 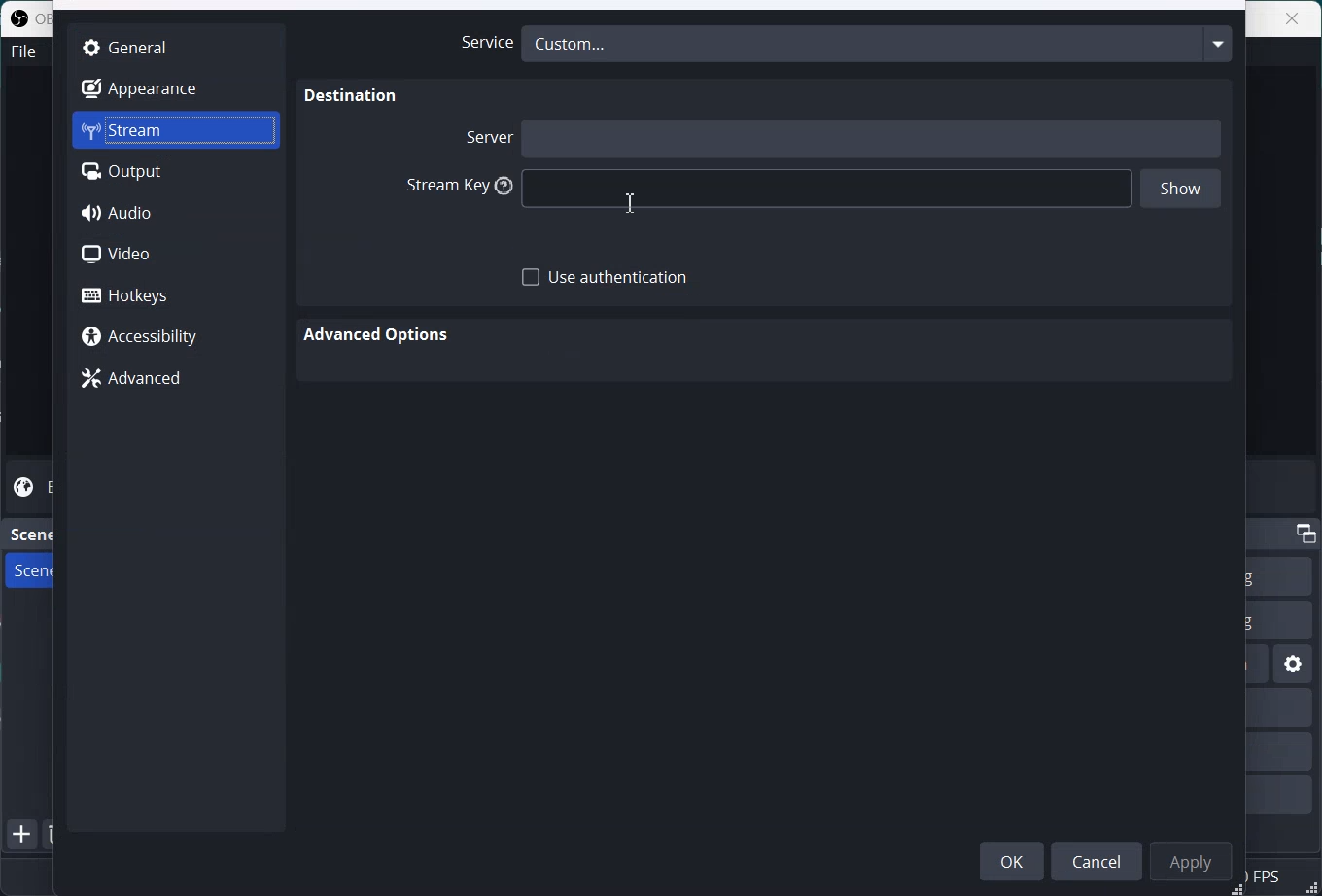 I want to click on General, so click(x=175, y=46).